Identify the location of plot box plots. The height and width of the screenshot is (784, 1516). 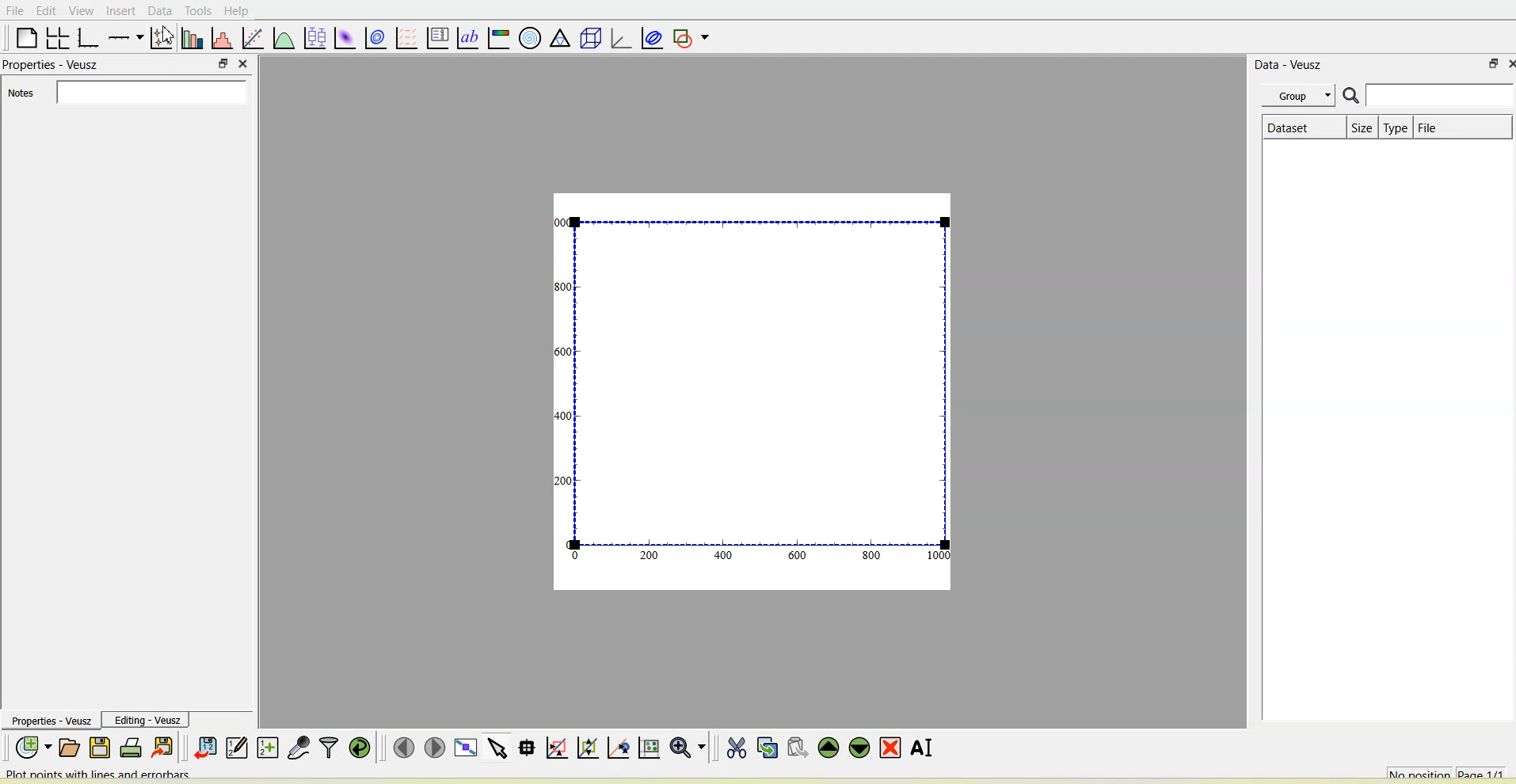
(314, 37).